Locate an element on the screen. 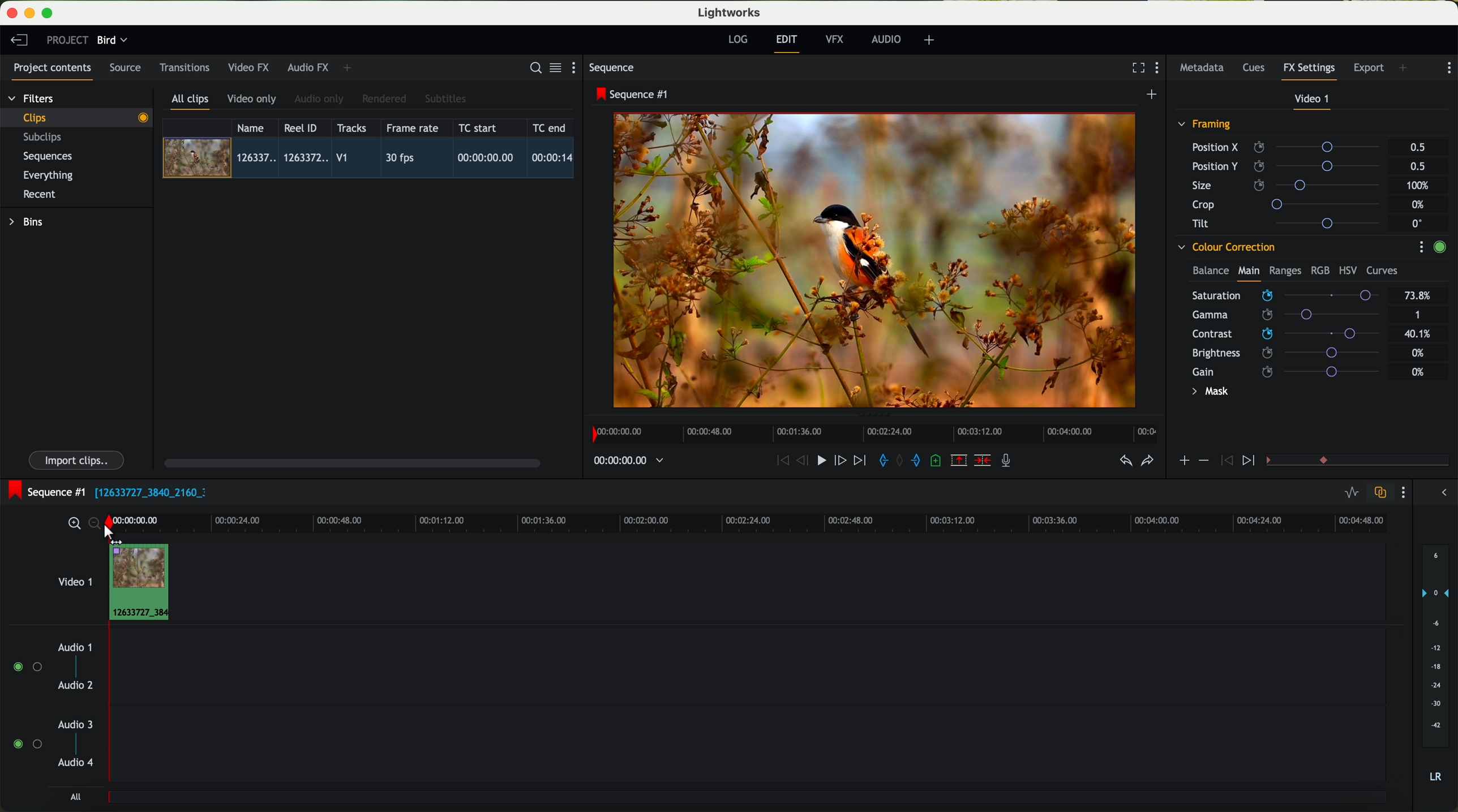 The width and height of the screenshot is (1458, 812). project is located at coordinates (67, 40).